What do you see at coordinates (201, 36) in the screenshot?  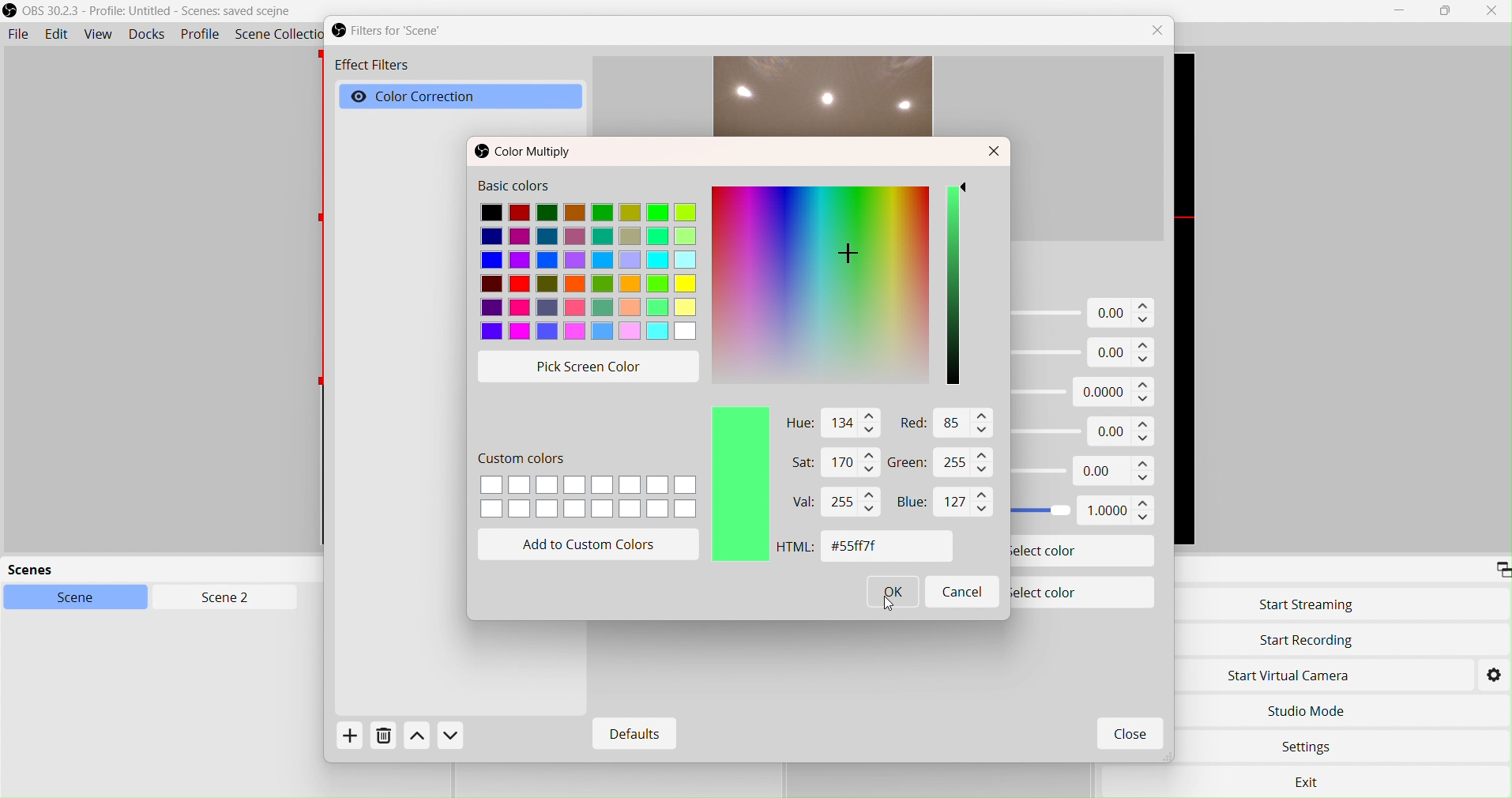 I see `Profile` at bounding box center [201, 36].